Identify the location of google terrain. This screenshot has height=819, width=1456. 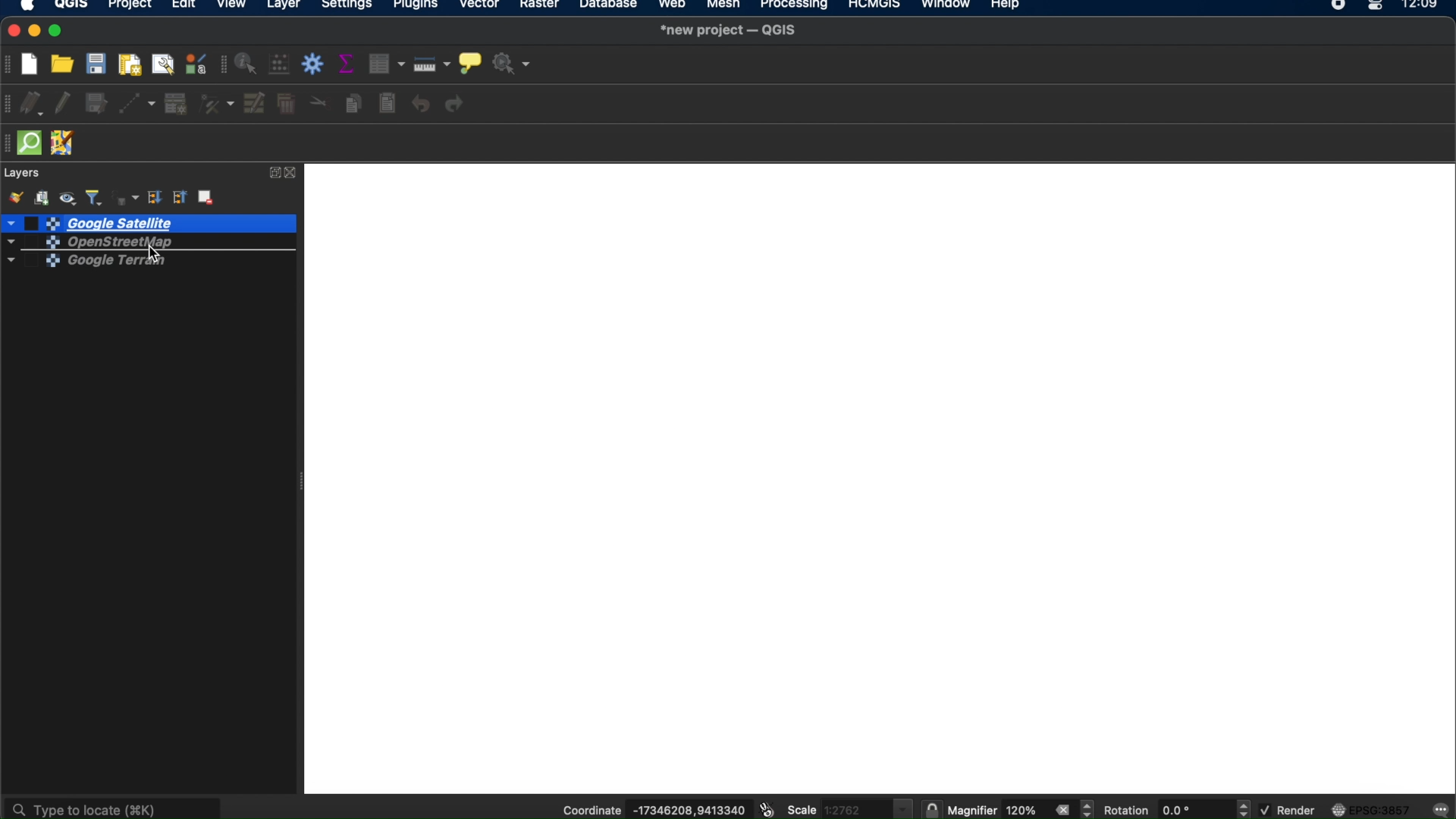
(87, 262).